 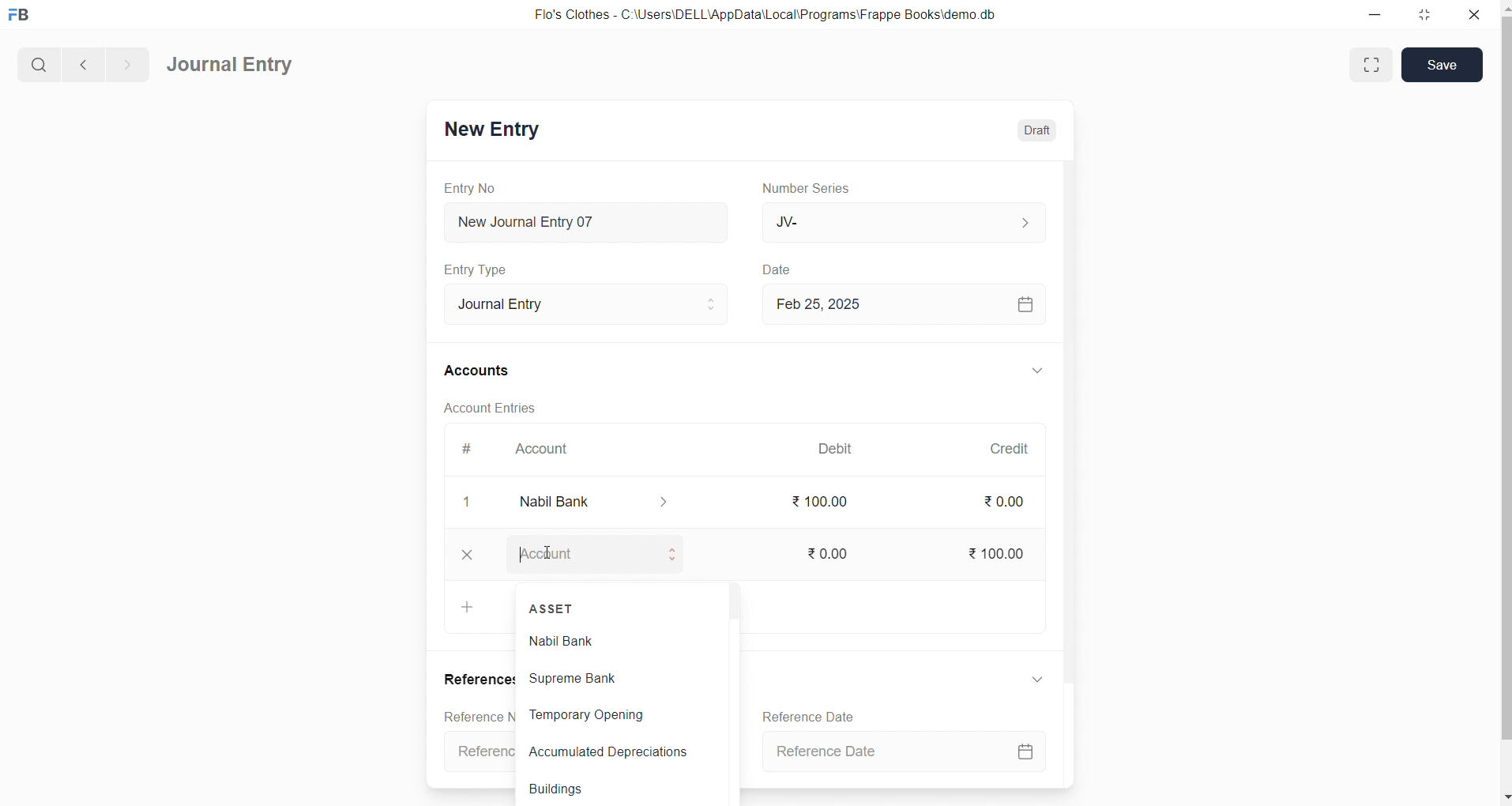 What do you see at coordinates (1076, 472) in the screenshot?
I see `vertical scroll bar` at bounding box center [1076, 472].